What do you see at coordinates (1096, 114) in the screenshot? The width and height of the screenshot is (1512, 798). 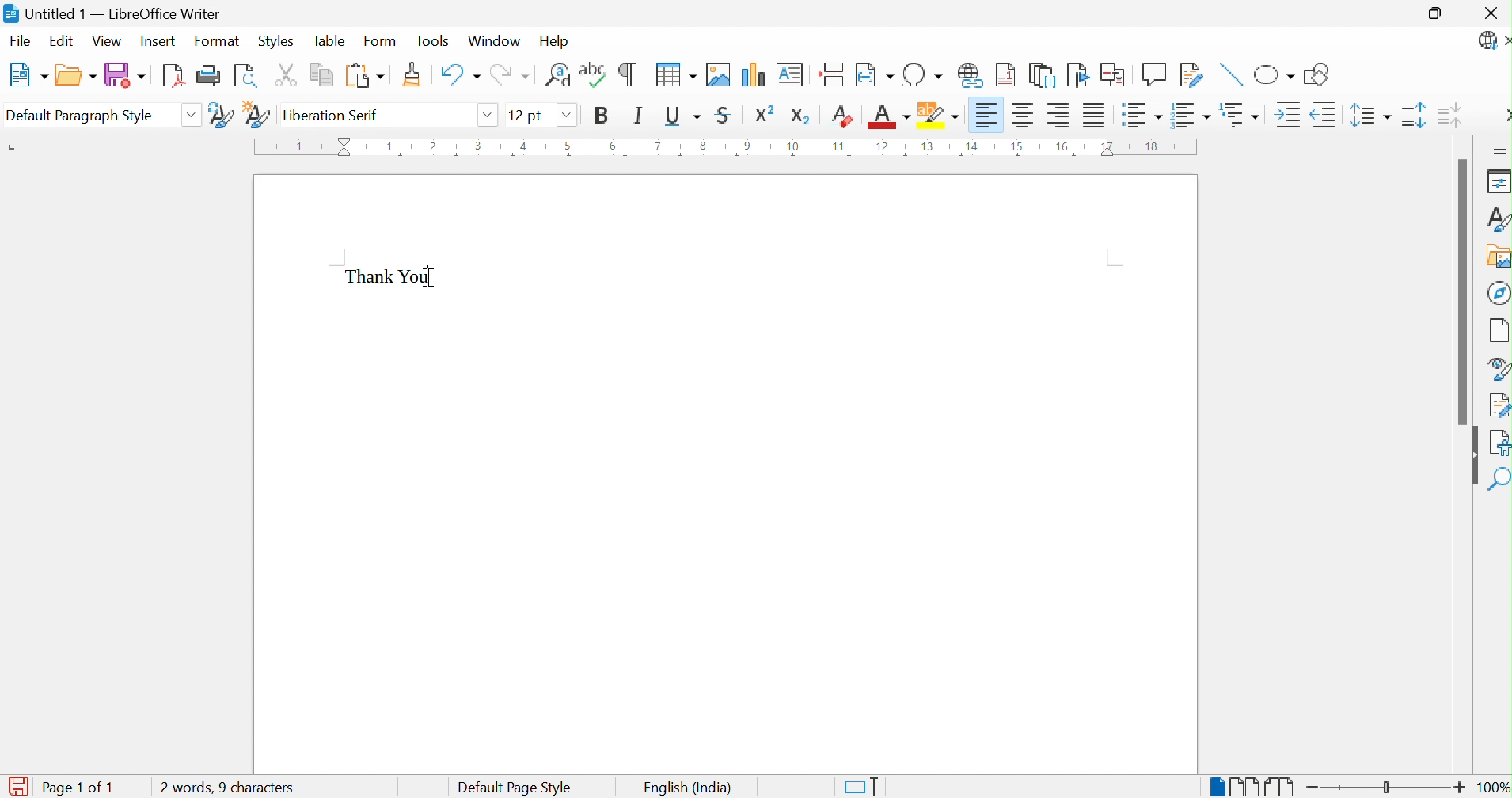 I see `Justified` at bounding box center [1096, 114].